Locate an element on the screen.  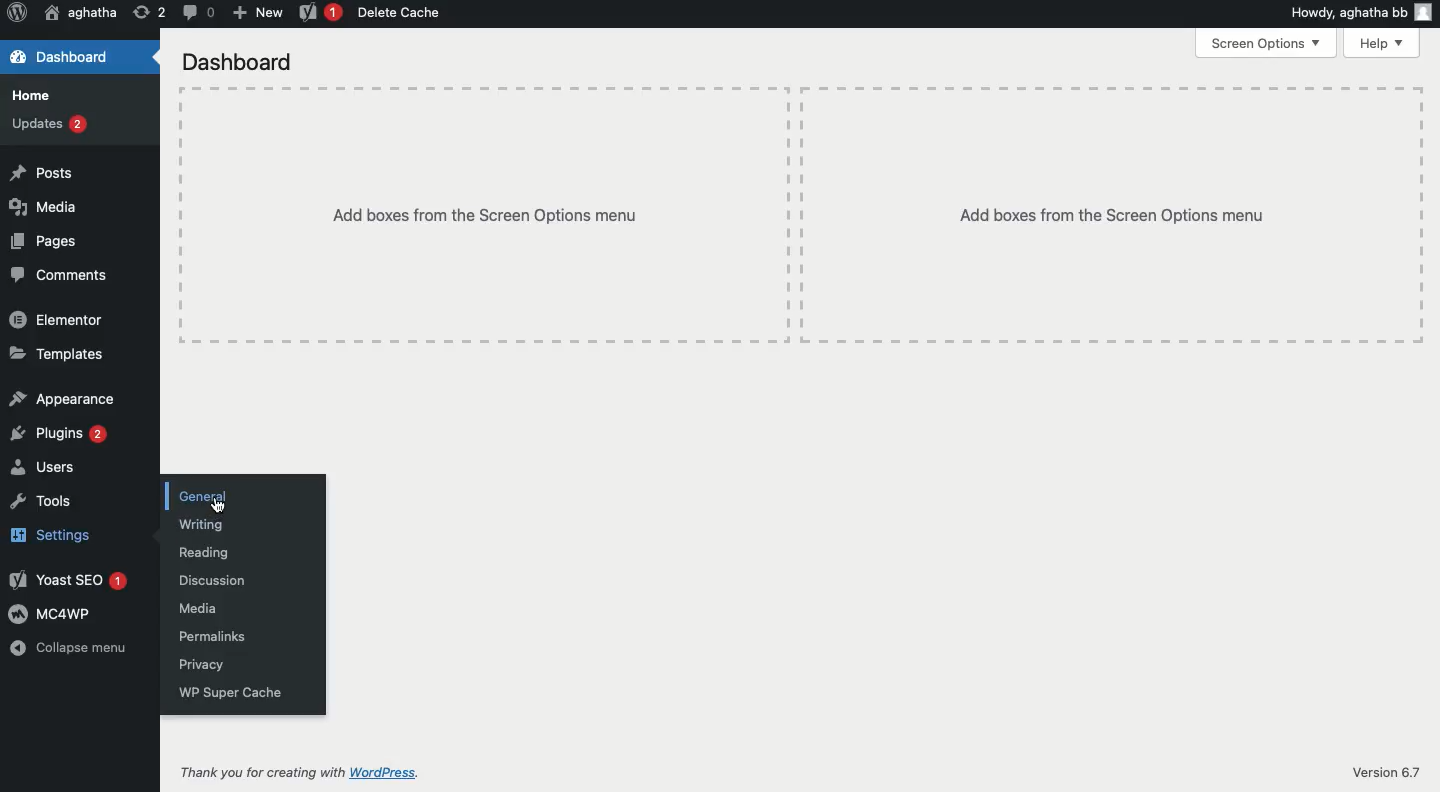
Yoast SEO is located at coordinates (67, 579).